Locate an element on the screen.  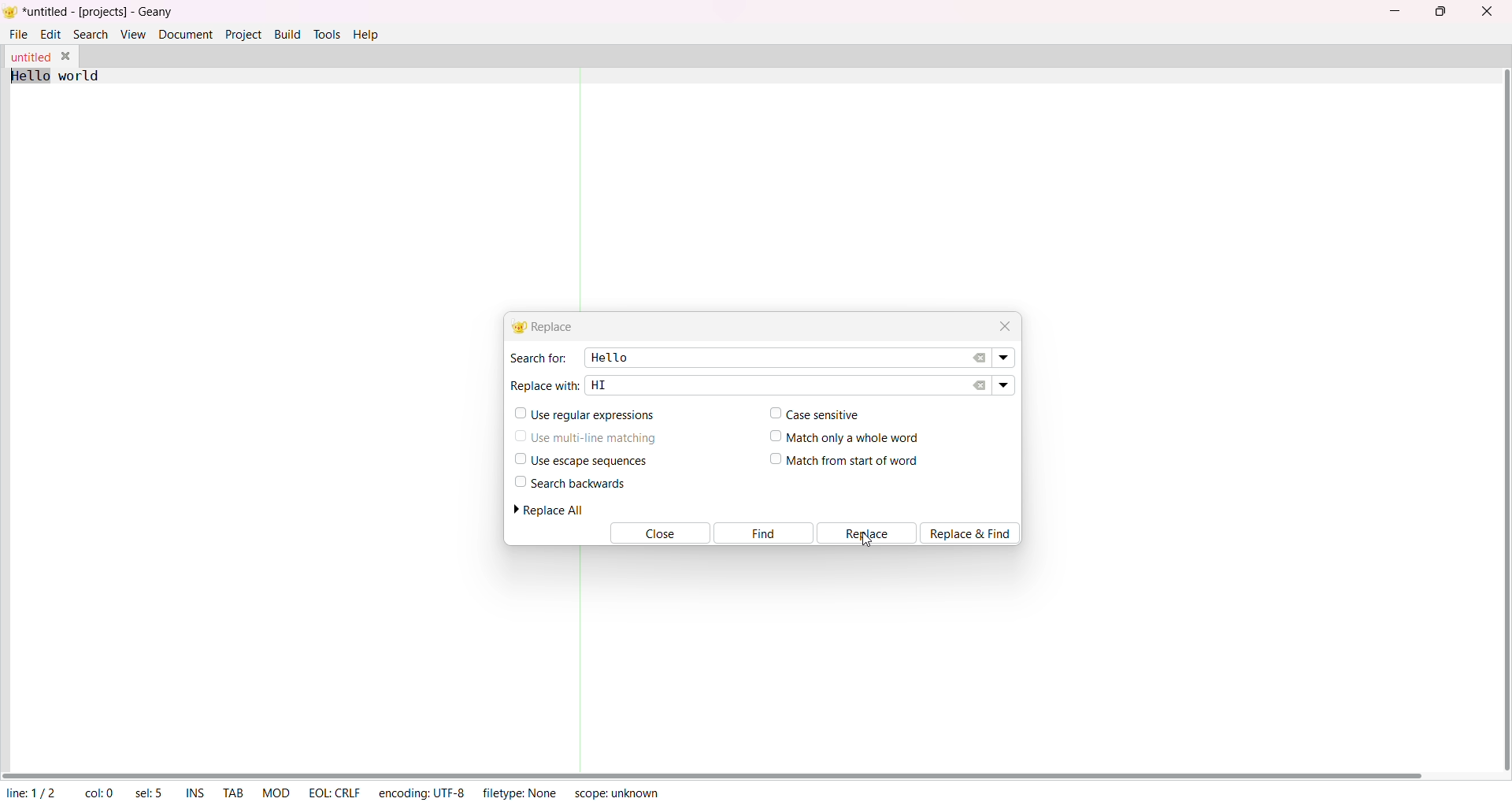
close dialog is located at coordinates (1002, 324).